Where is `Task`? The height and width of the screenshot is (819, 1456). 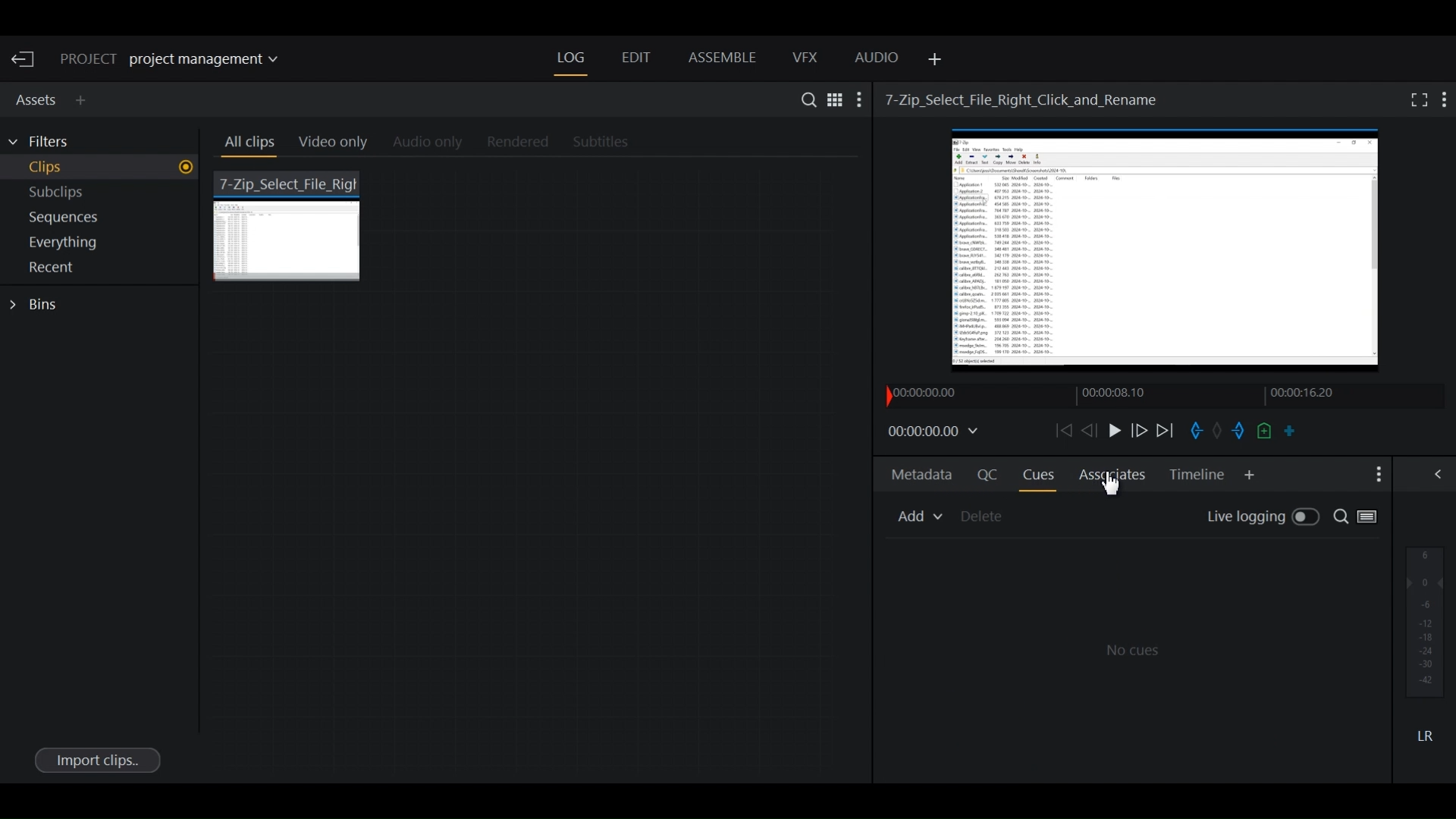 Task is located at coordinates (1218, 428).